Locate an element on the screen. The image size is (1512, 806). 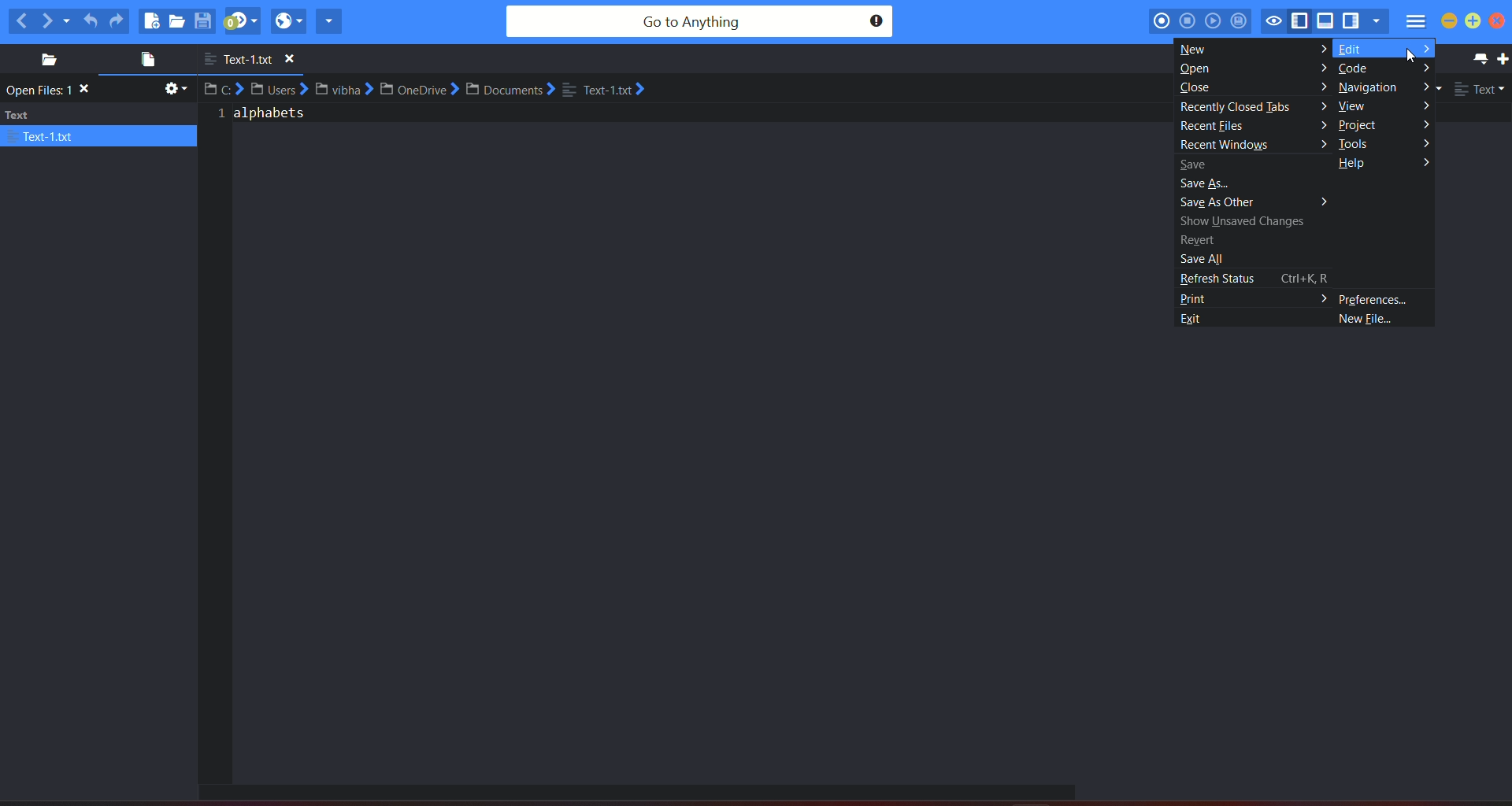
project is located at coordinates (1359, 125).